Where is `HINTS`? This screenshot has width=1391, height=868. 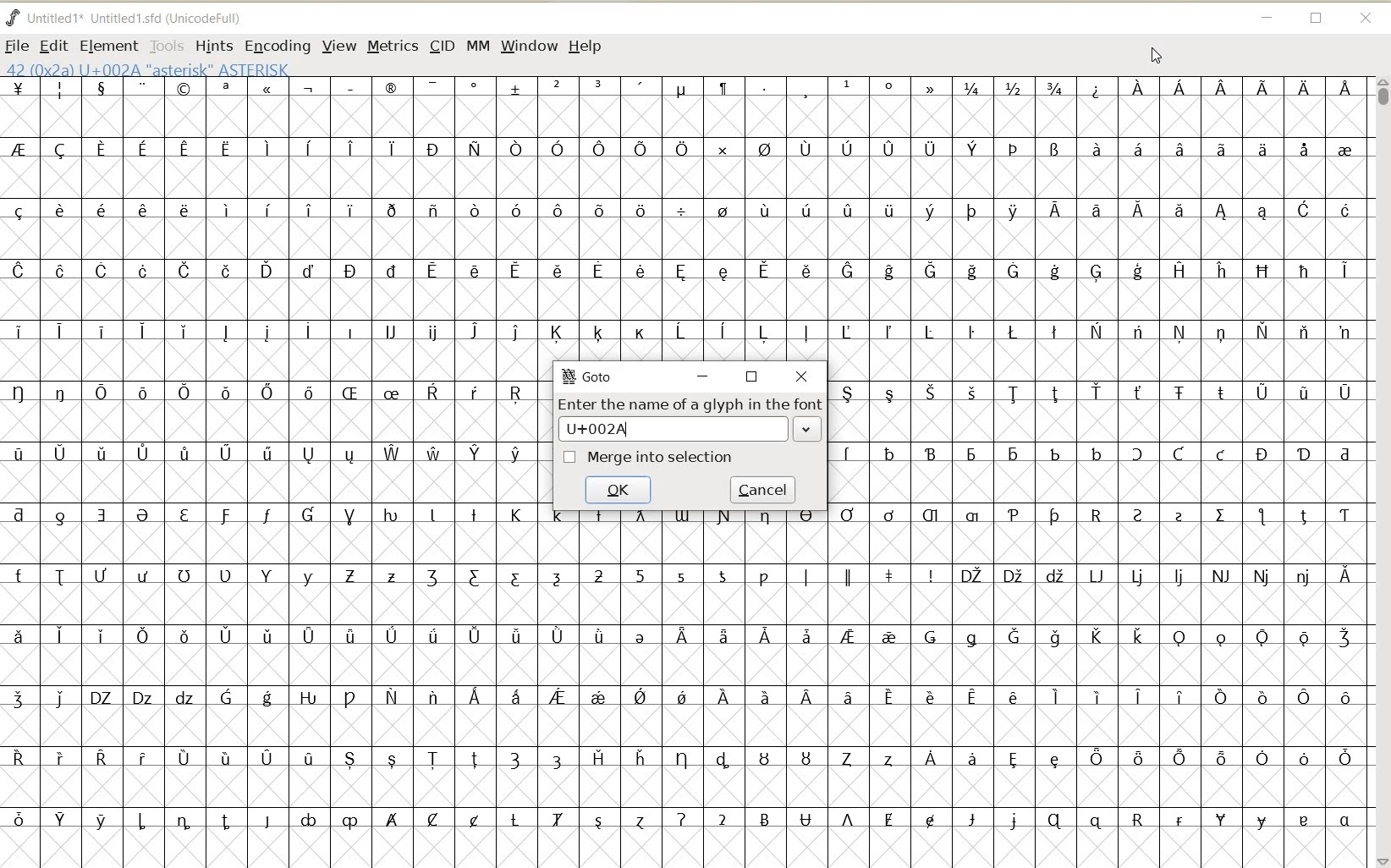 HINTS is located at coordinates (213, 47).